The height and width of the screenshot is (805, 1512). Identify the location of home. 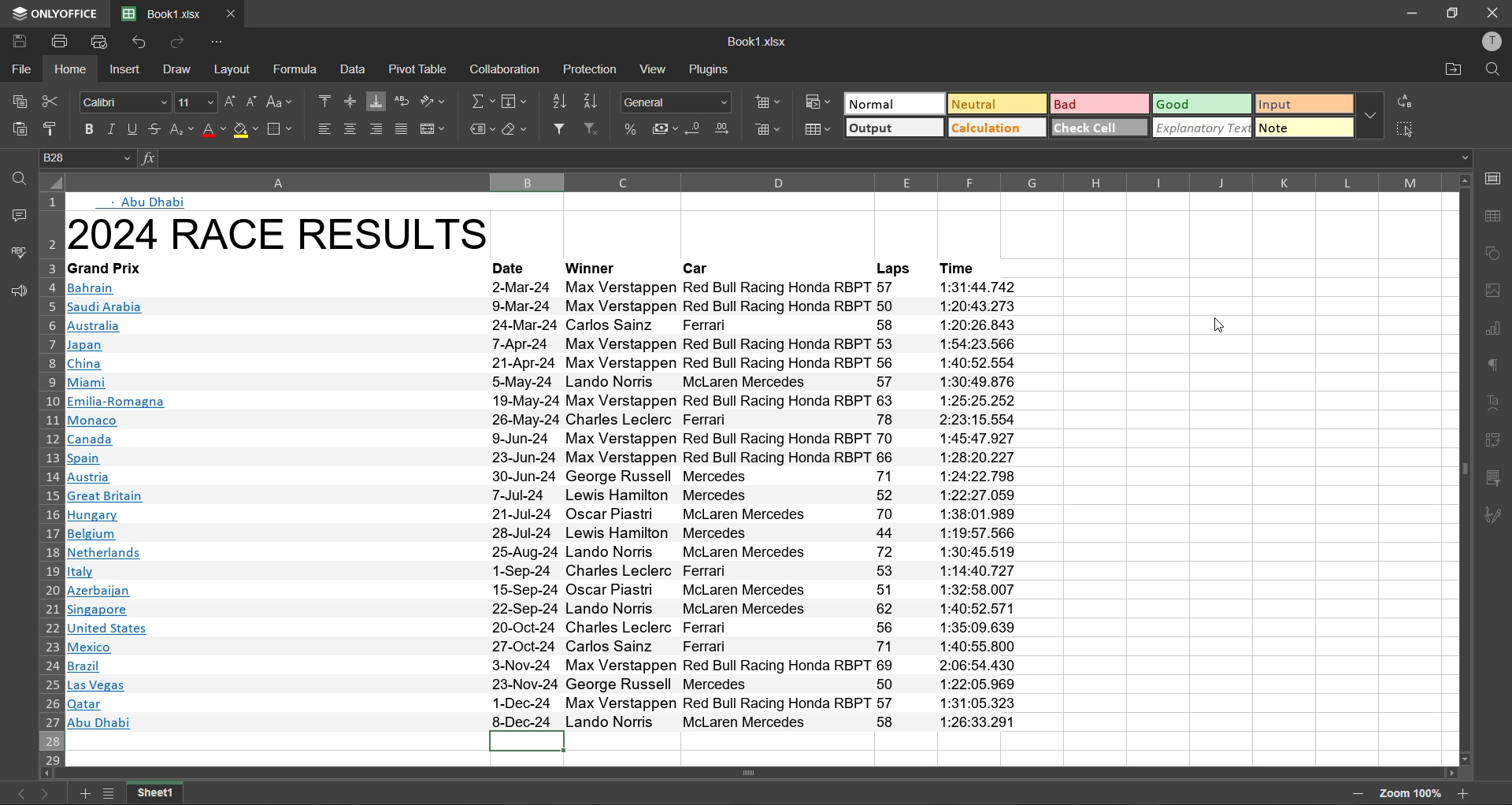
(71, 72).